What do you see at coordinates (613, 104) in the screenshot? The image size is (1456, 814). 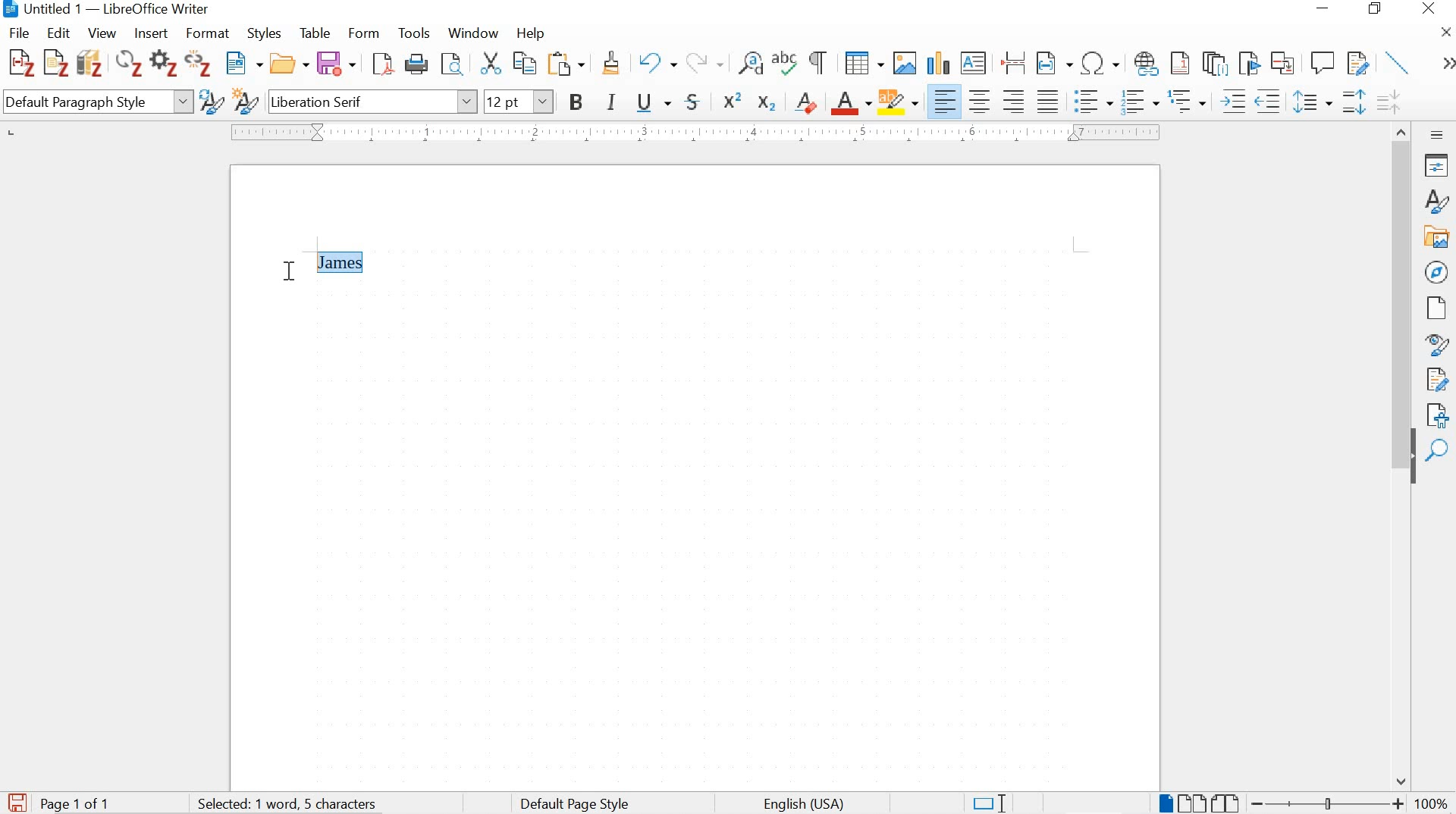 I see `italic` at bounding box center [613, 104].